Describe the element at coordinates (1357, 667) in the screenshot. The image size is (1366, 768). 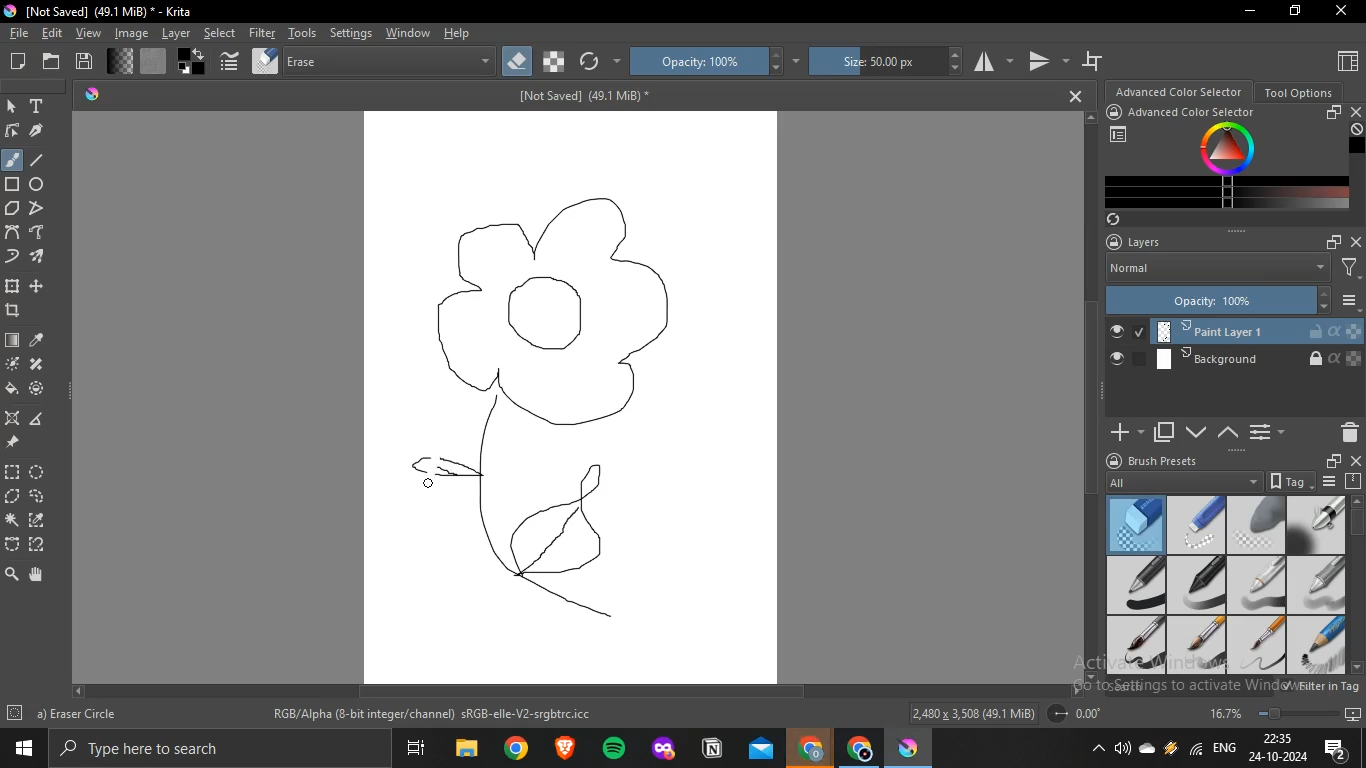
I see `Down` at that location.